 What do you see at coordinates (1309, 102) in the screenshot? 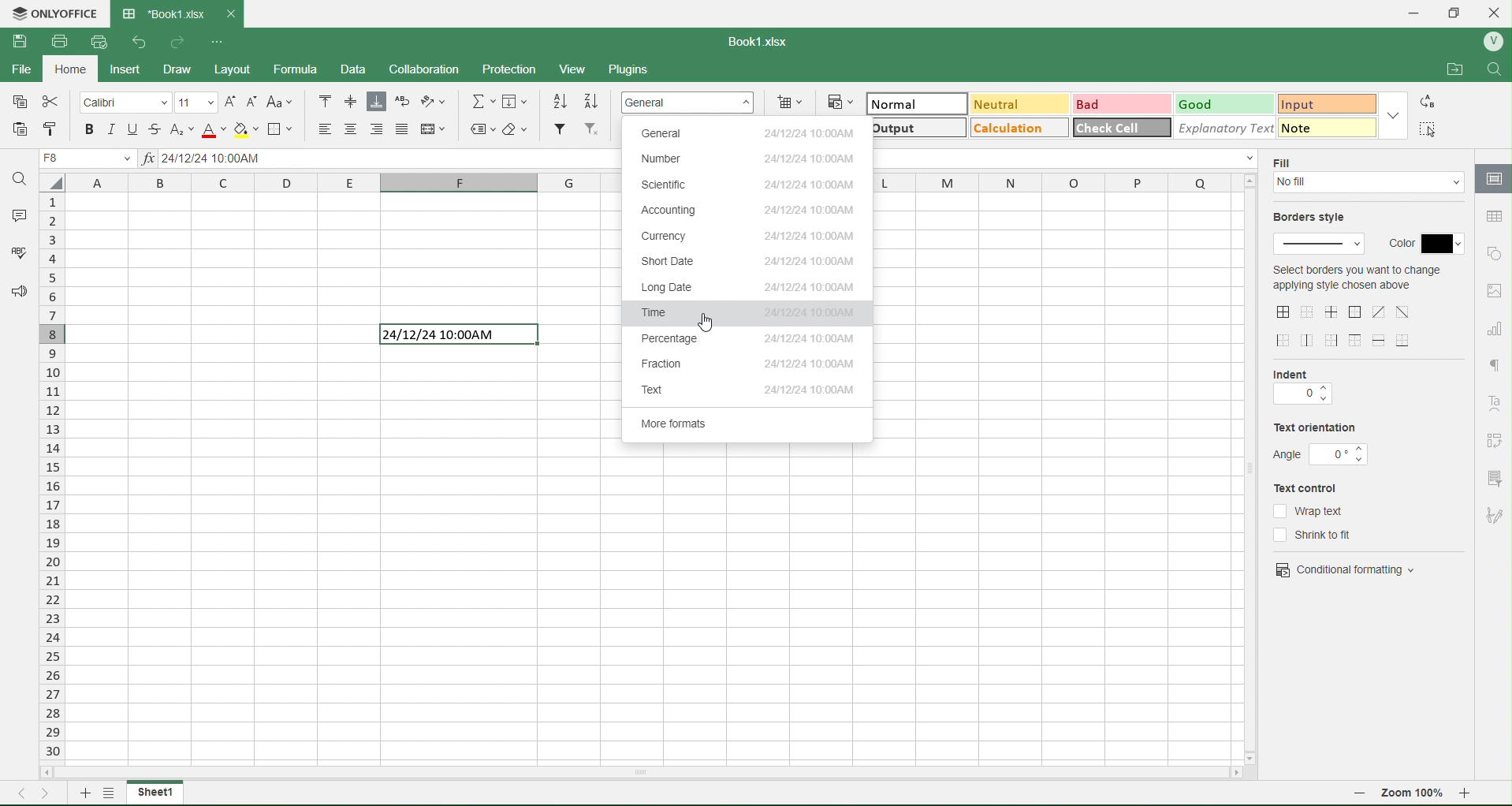
I see `input` at bounding box center [1309, 102].